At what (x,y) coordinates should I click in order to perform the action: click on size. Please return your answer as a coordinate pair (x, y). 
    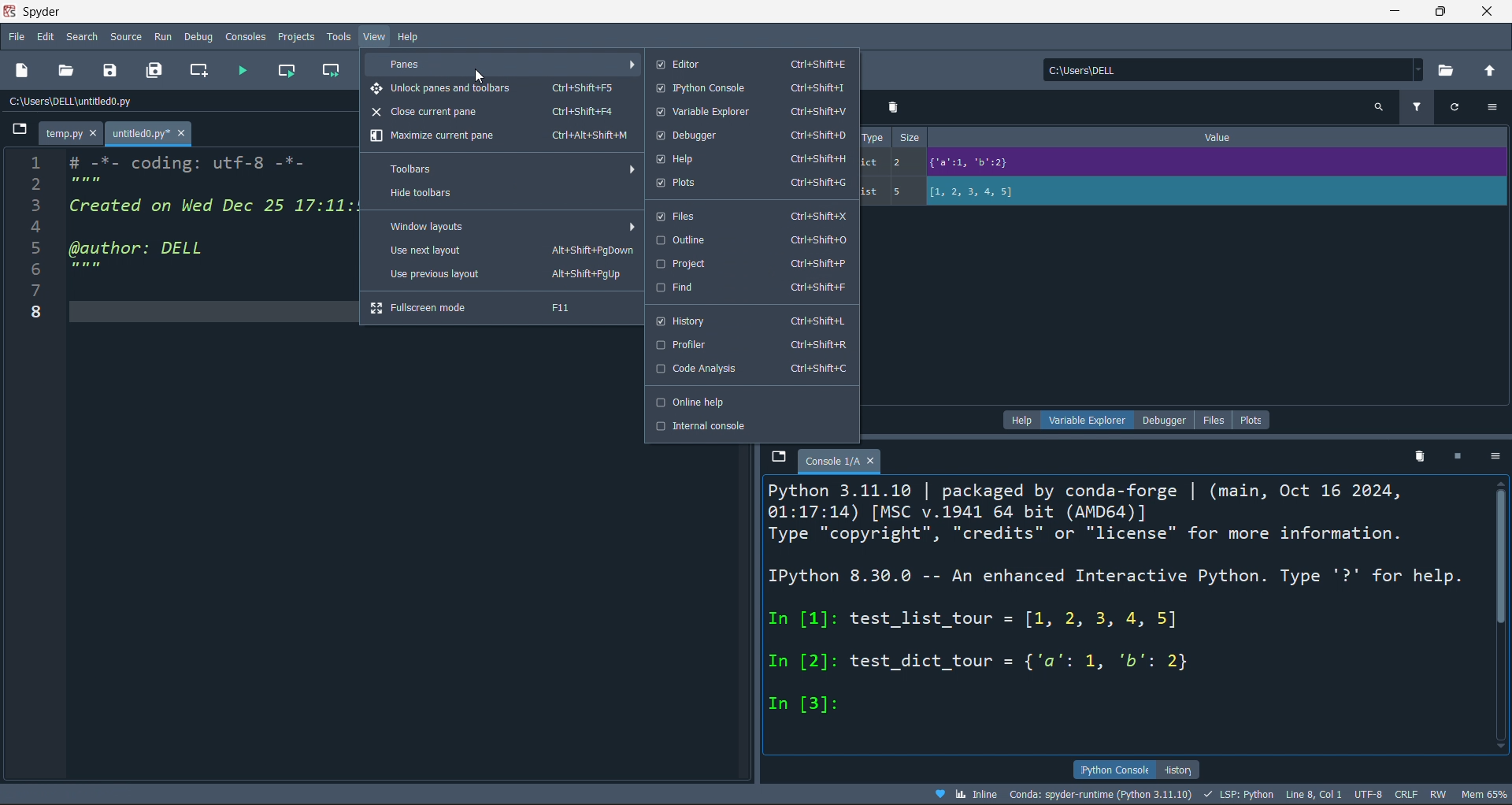
    Looking at the image, I should click on (909, 138).